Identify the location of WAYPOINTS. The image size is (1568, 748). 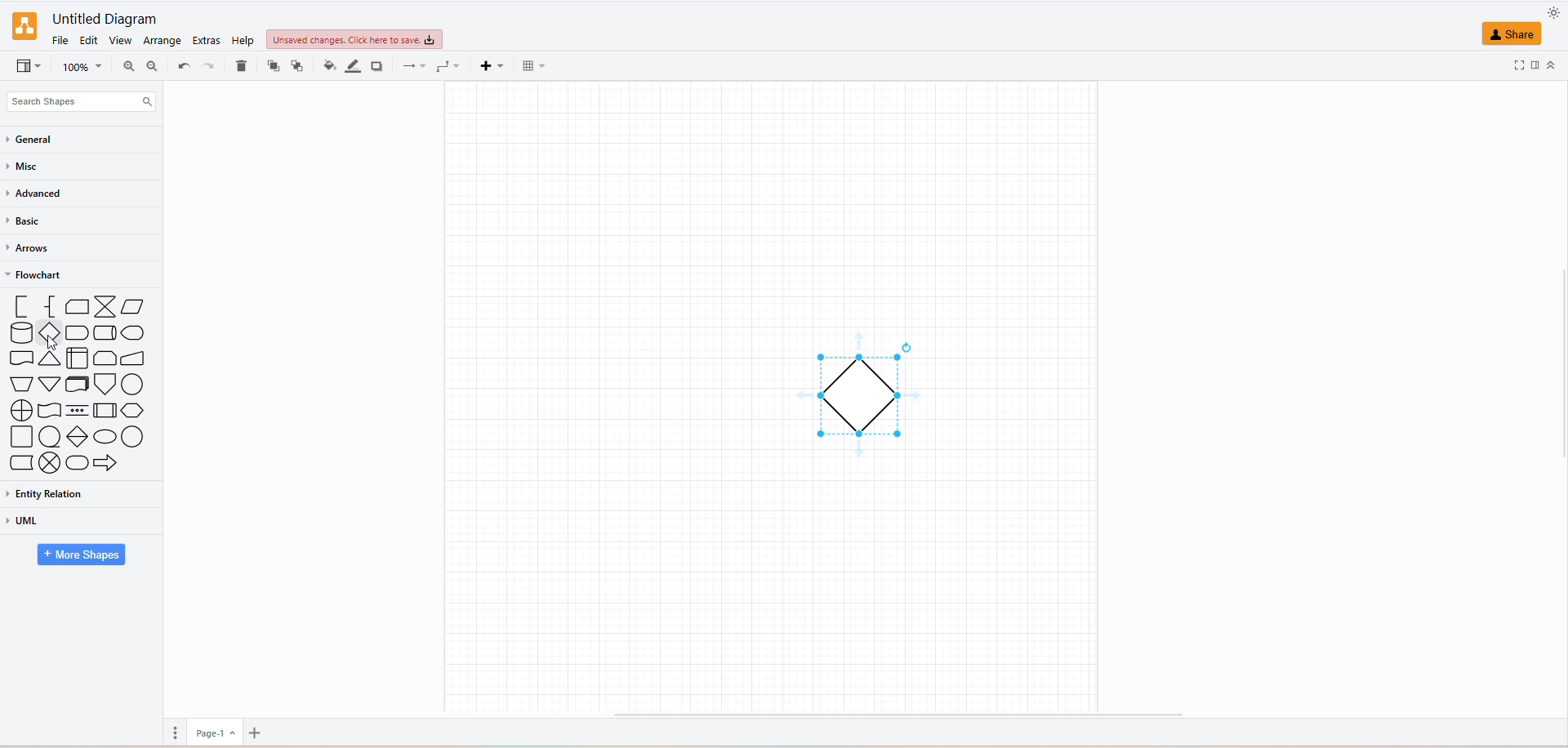
(445, 65).